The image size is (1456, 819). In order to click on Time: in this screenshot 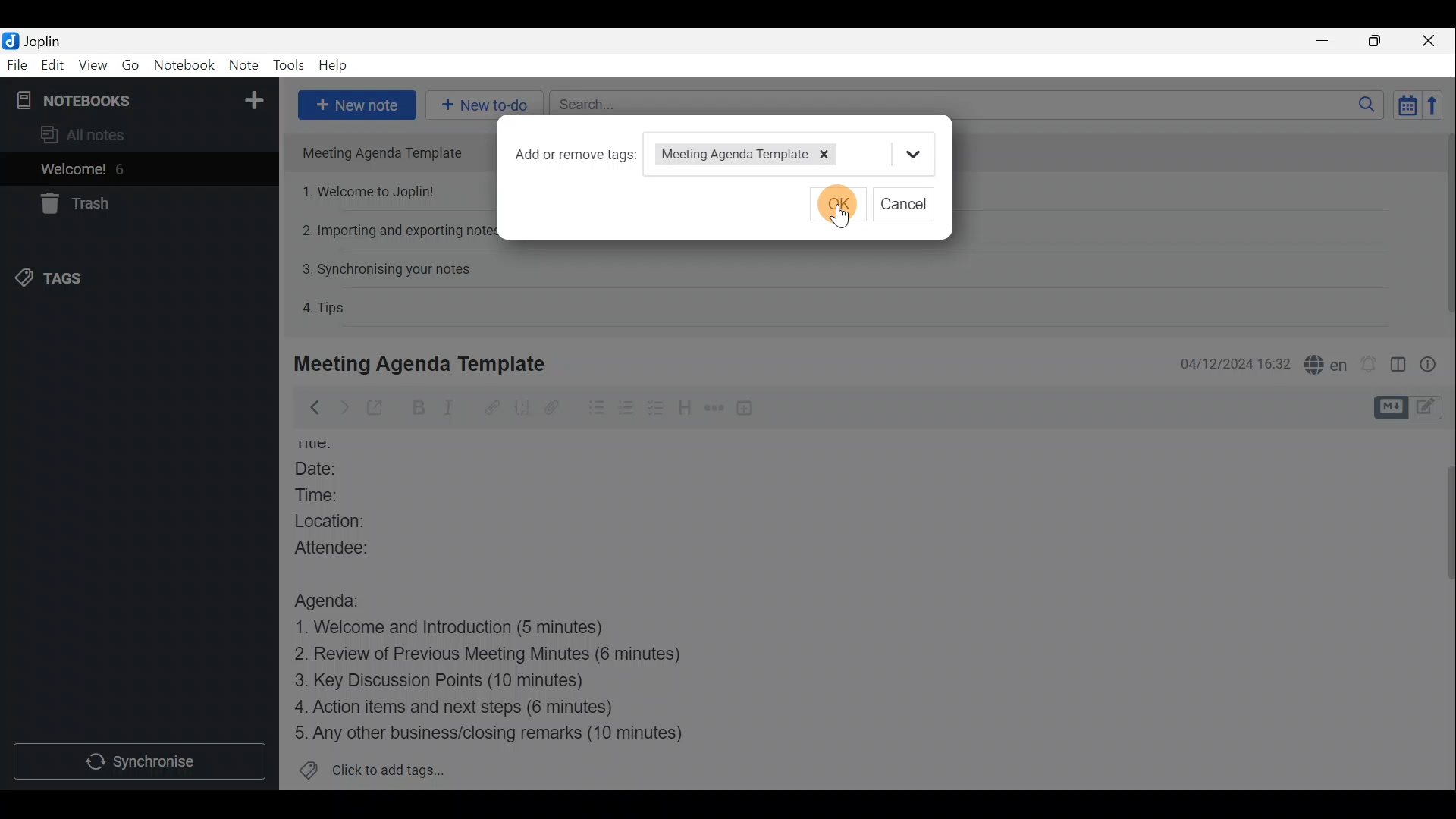, I will do `click(325, 495)`.